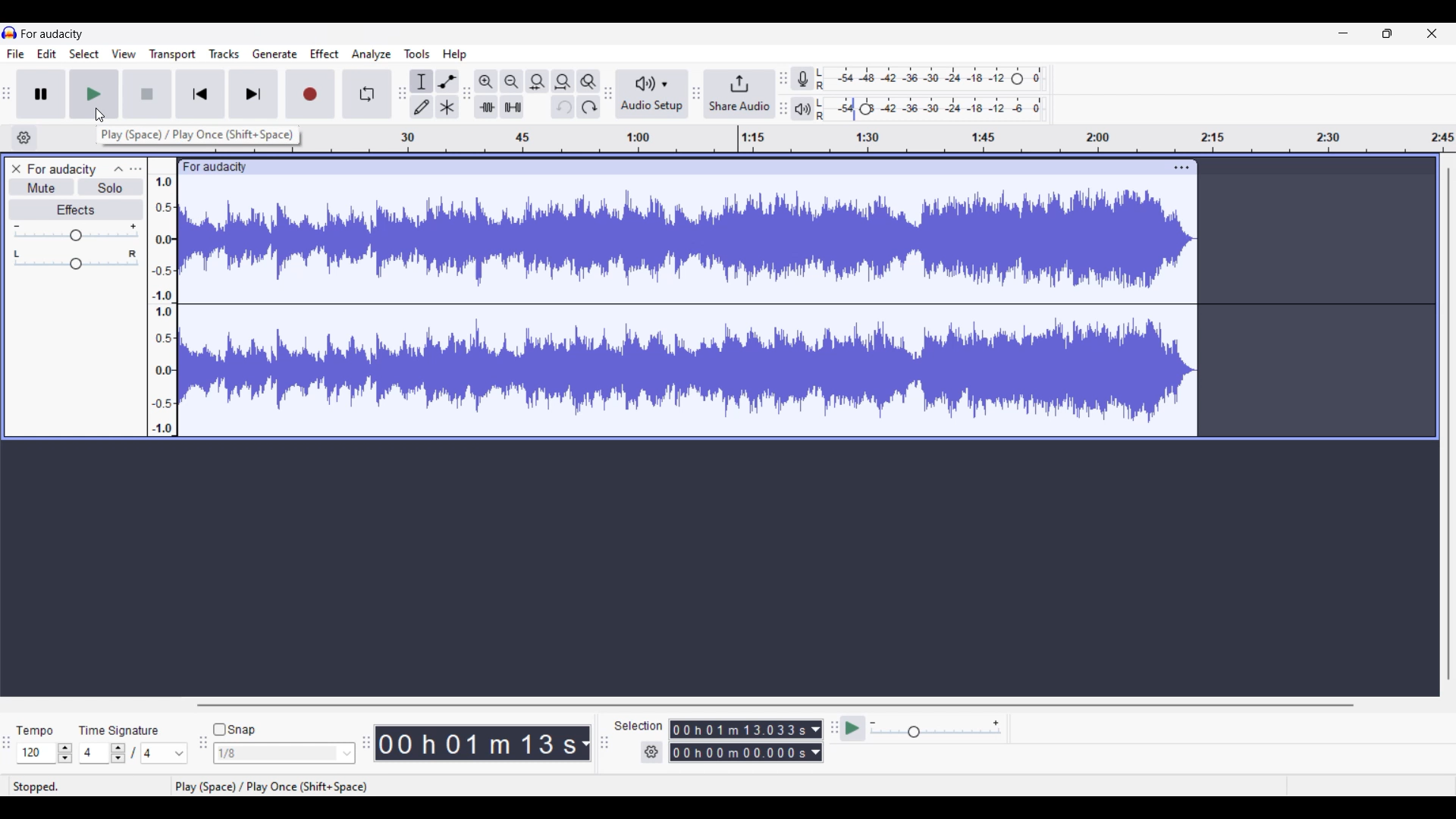 The height and width of the screenshot is (819, 1456). Describe the element at coordinates (639, 725) in the screenshot. I see `selection` at that location.